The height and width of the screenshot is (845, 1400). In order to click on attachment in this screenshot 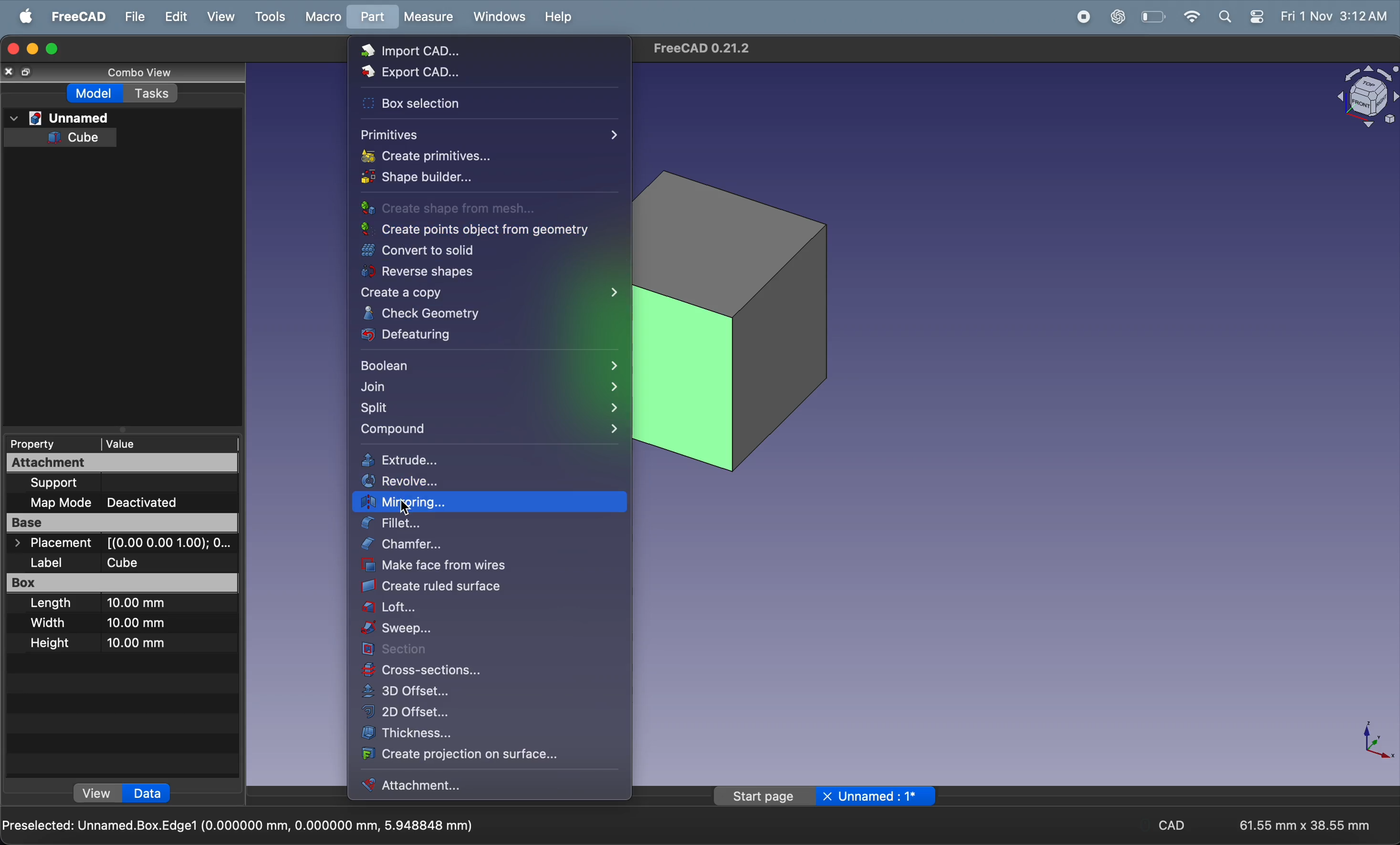, I will do `click(477, 785)`.